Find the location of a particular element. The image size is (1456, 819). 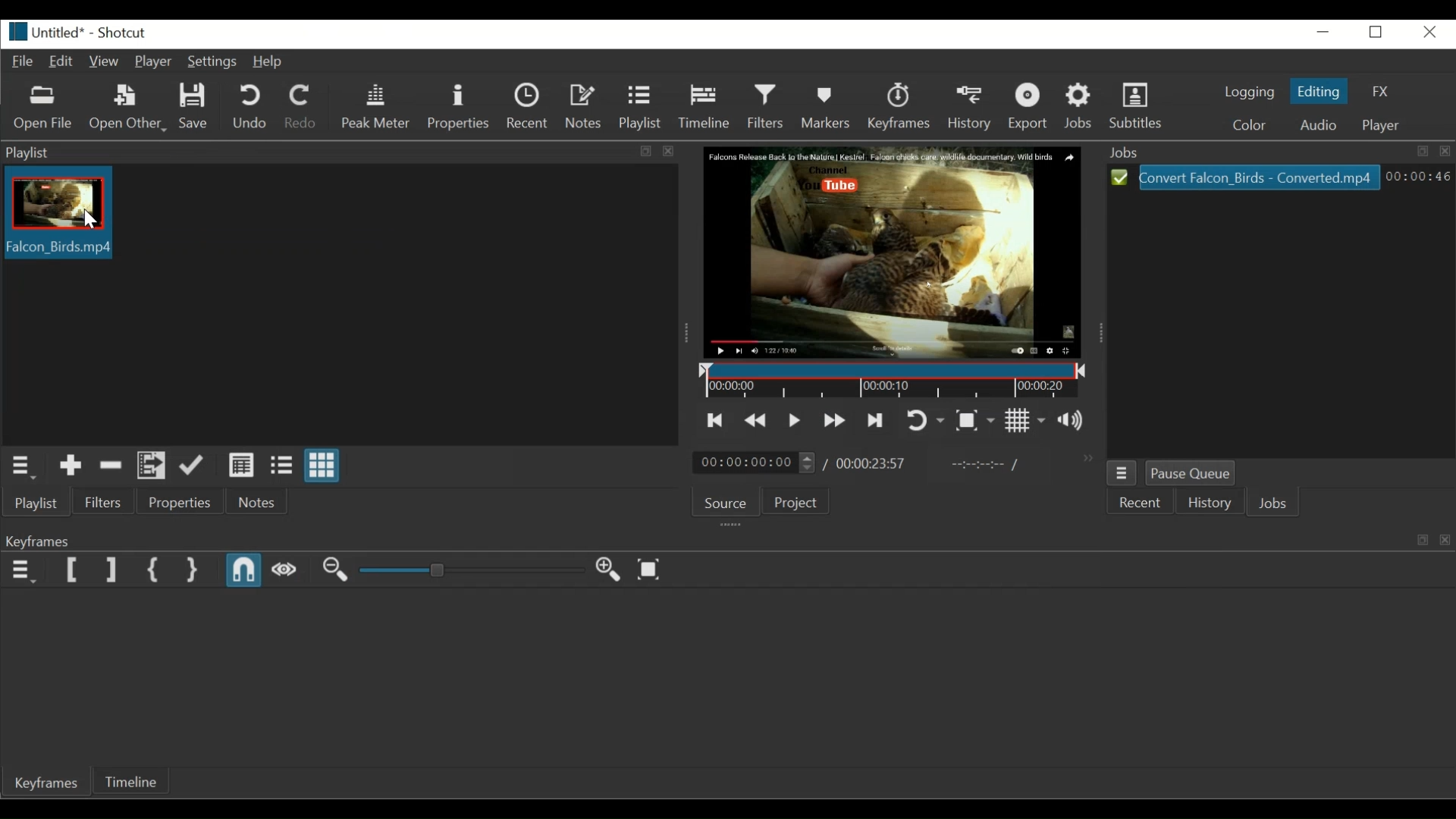

close is located at coordinates (678, 155).